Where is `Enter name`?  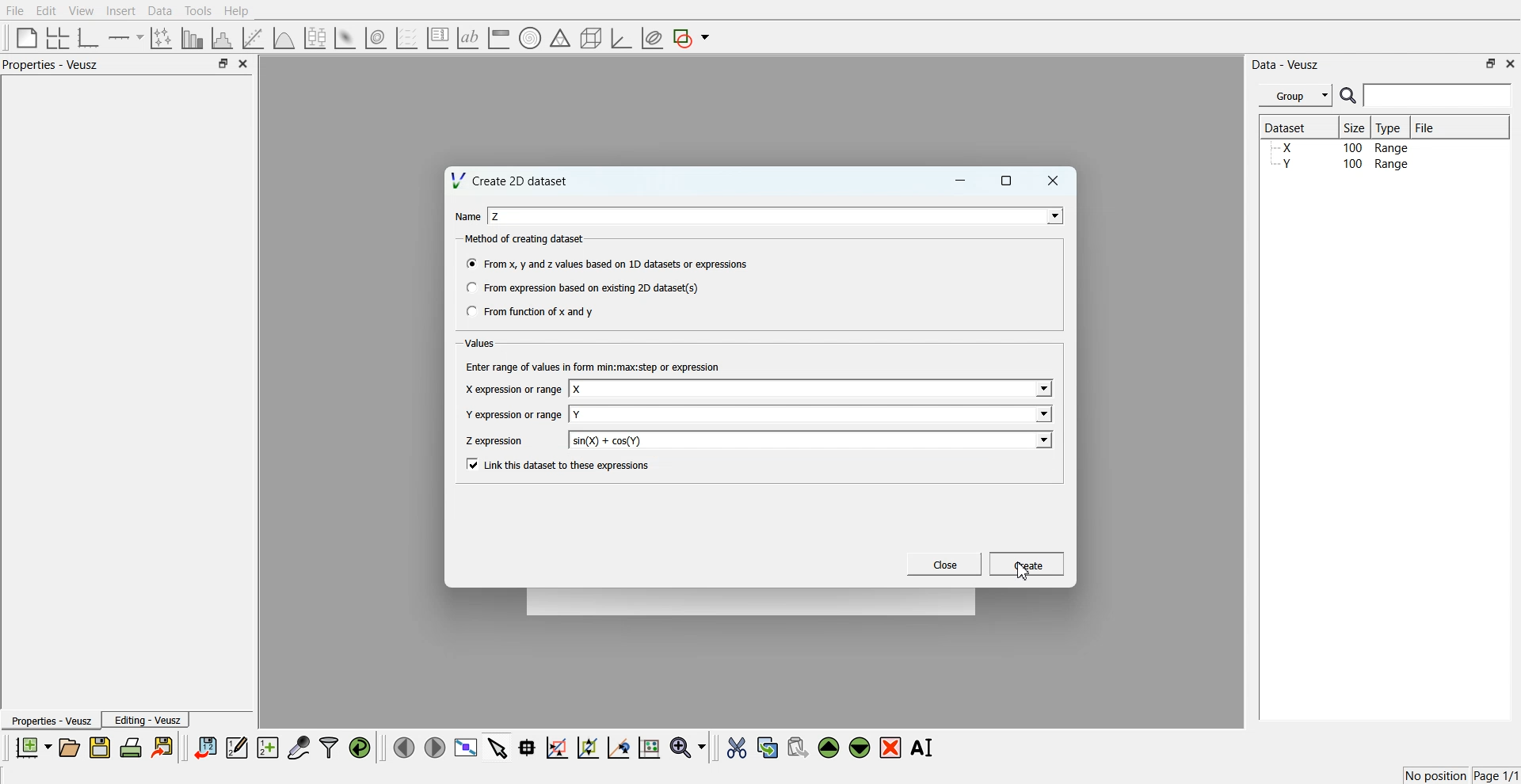 Enter name is located at coordinates (813, 413).